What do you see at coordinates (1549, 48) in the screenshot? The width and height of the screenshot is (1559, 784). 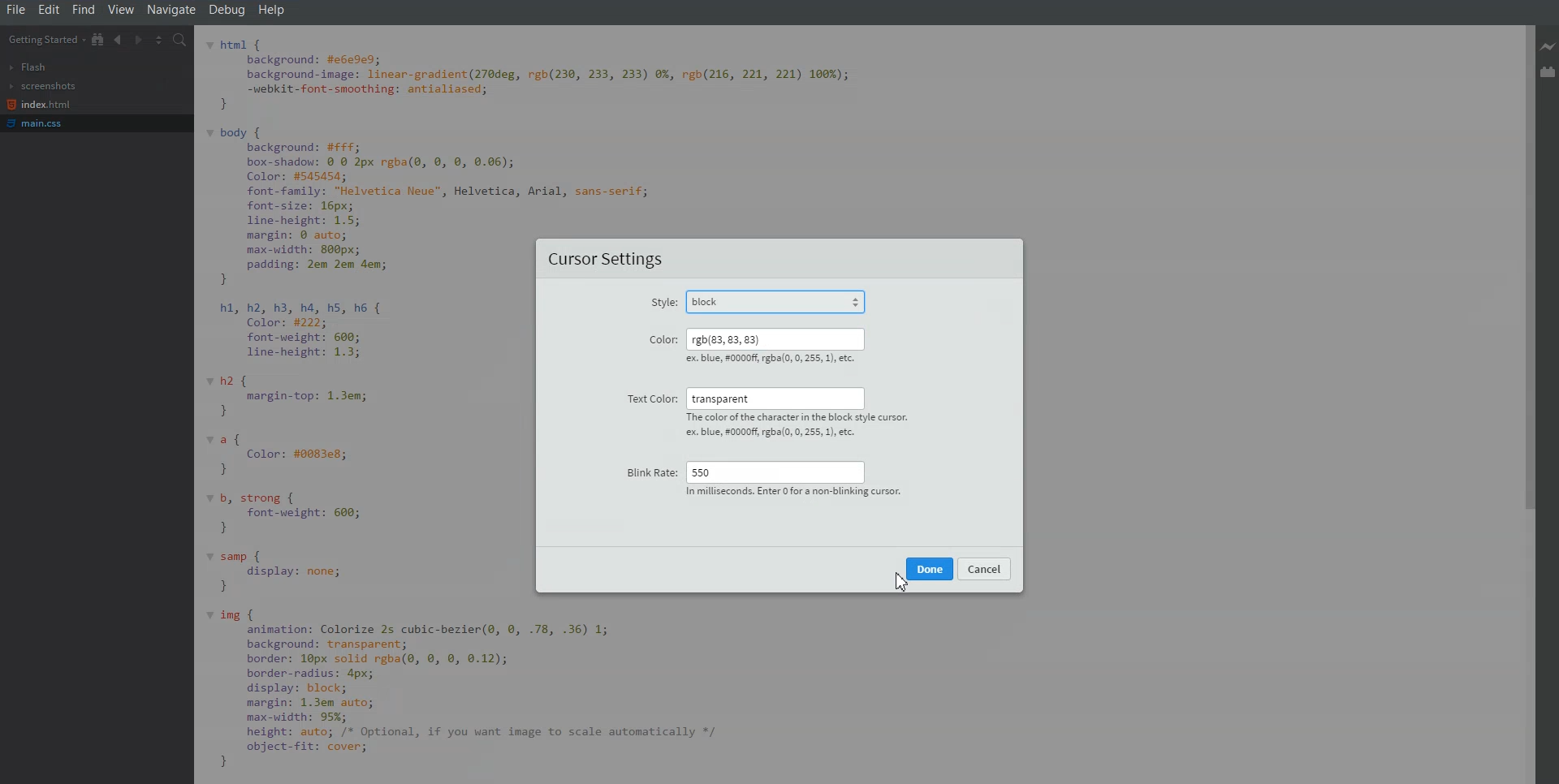 I see `Live Preview` at bounding box center [1549, 48].